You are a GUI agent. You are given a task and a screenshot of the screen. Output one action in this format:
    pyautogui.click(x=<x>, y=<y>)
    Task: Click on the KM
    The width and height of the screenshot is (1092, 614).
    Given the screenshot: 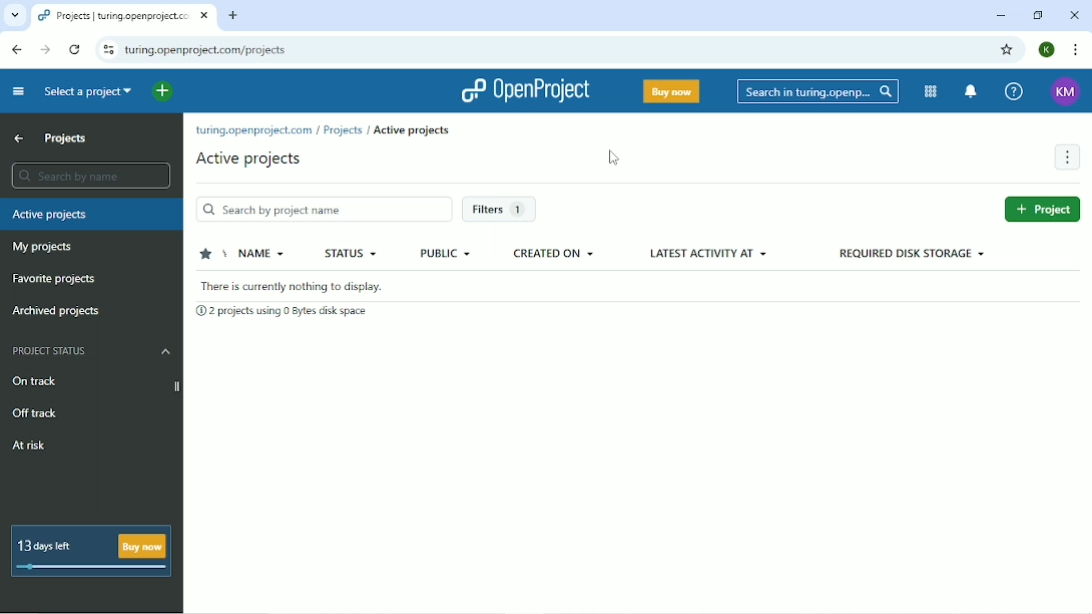 What is the action you would take?
    pyautogui.click(x=1065, y=92)
    